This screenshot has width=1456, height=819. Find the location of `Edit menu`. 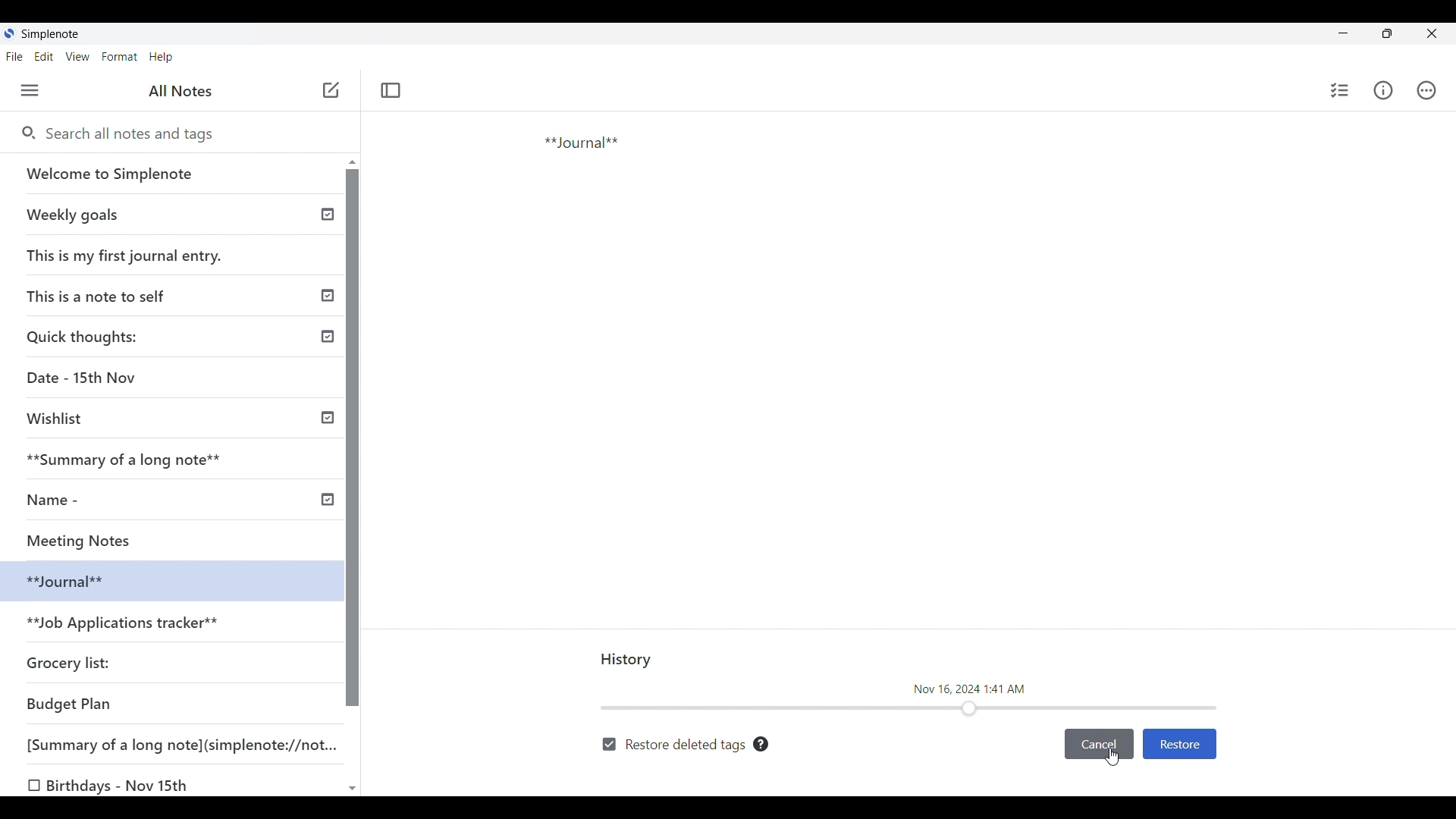

Edit menu is located at coordinates (44, 57).